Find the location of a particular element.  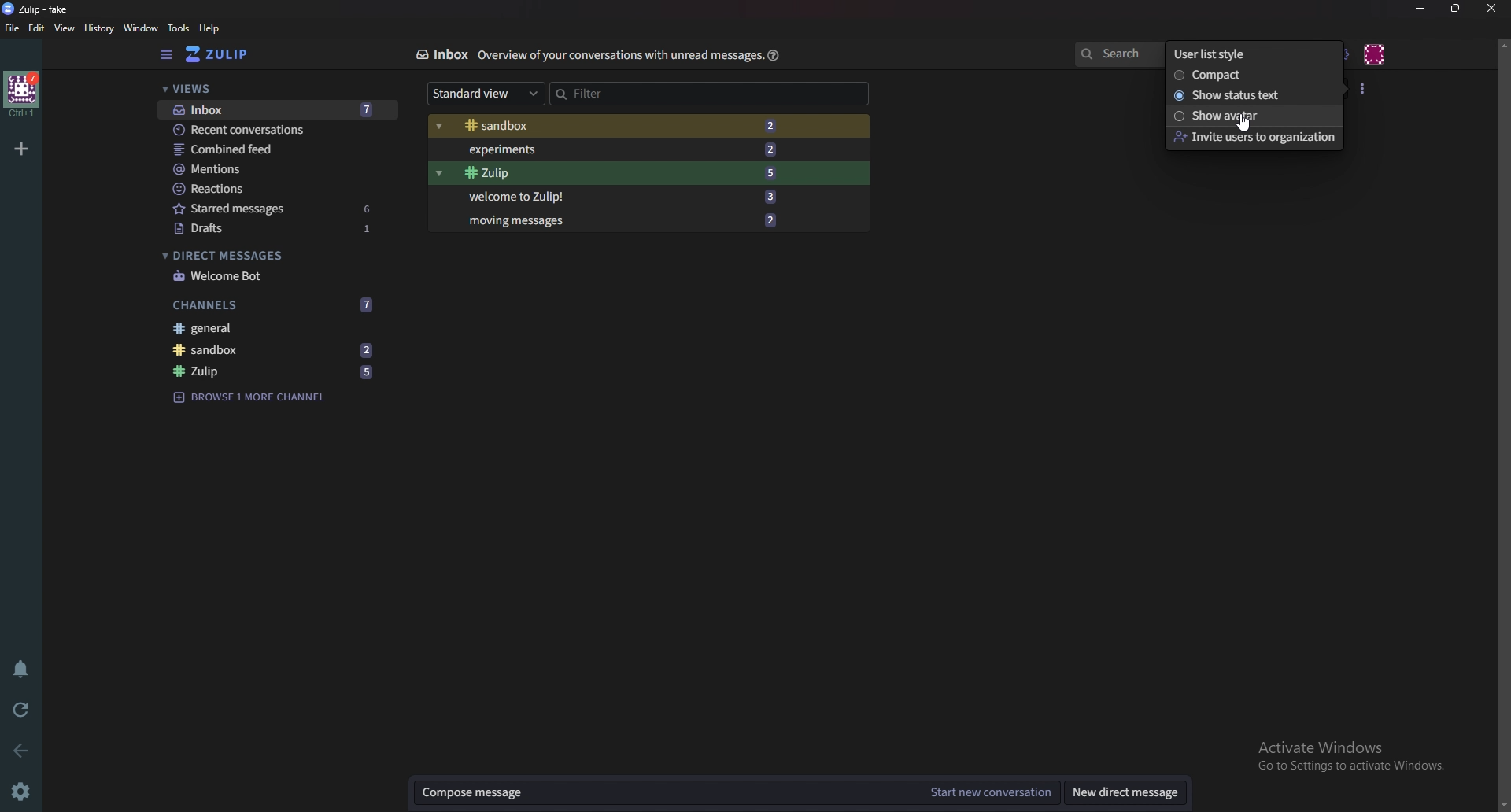

Recent conversations is located at coordinates (279, 130).